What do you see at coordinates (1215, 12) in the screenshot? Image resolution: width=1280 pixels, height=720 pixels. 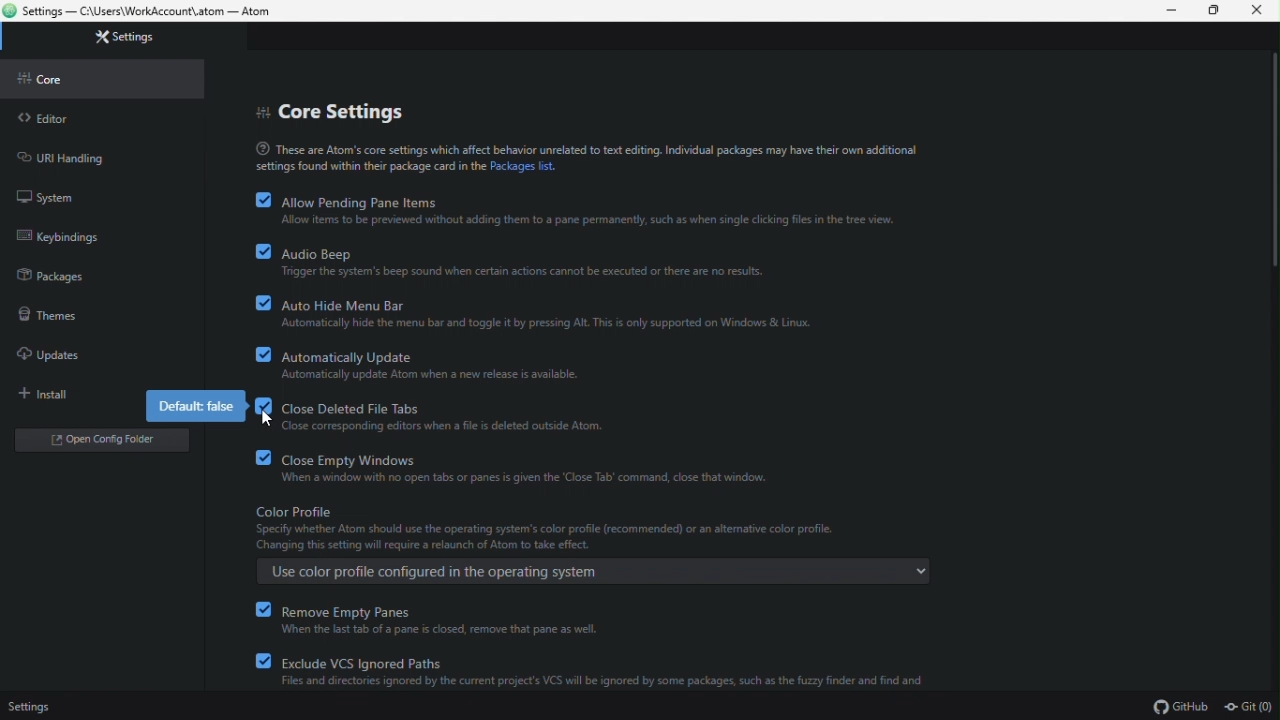 I see `restore` at bounding box center [1215, 12].